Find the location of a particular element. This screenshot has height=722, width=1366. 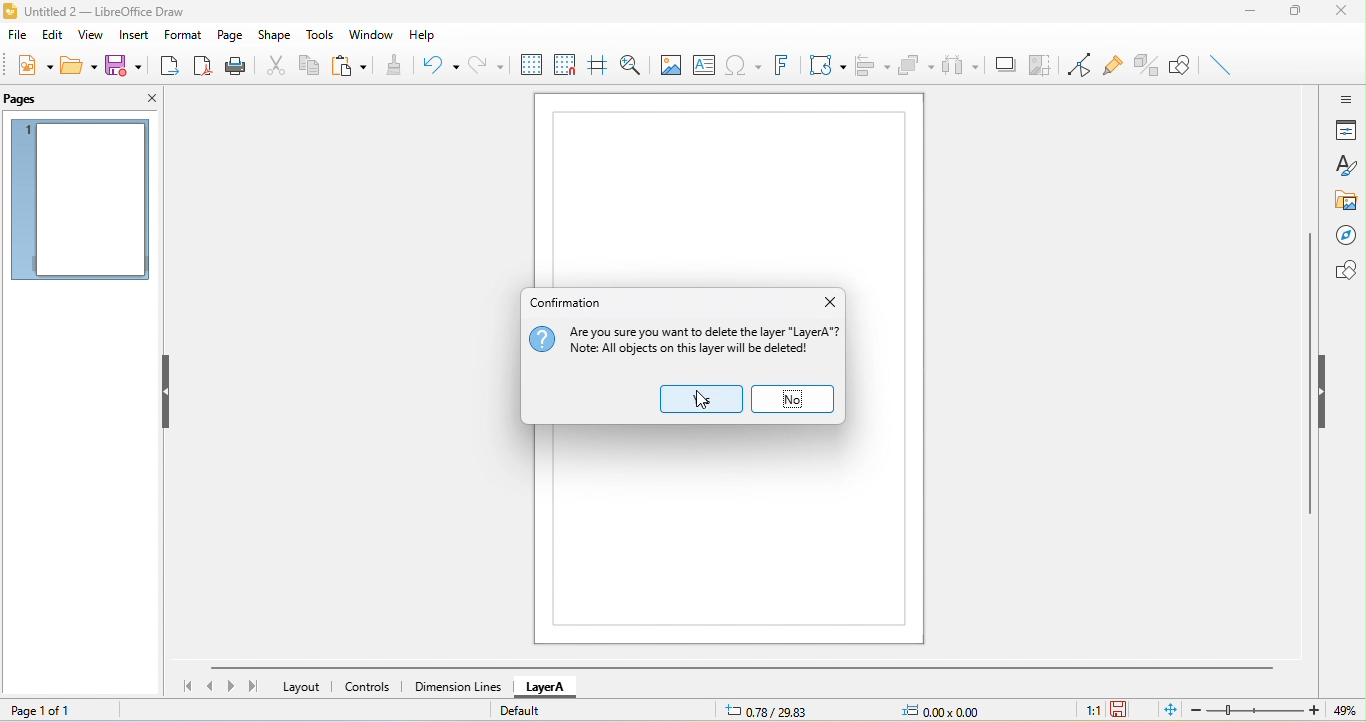

toggle point edit mode is located at coordinates (1078, 64).